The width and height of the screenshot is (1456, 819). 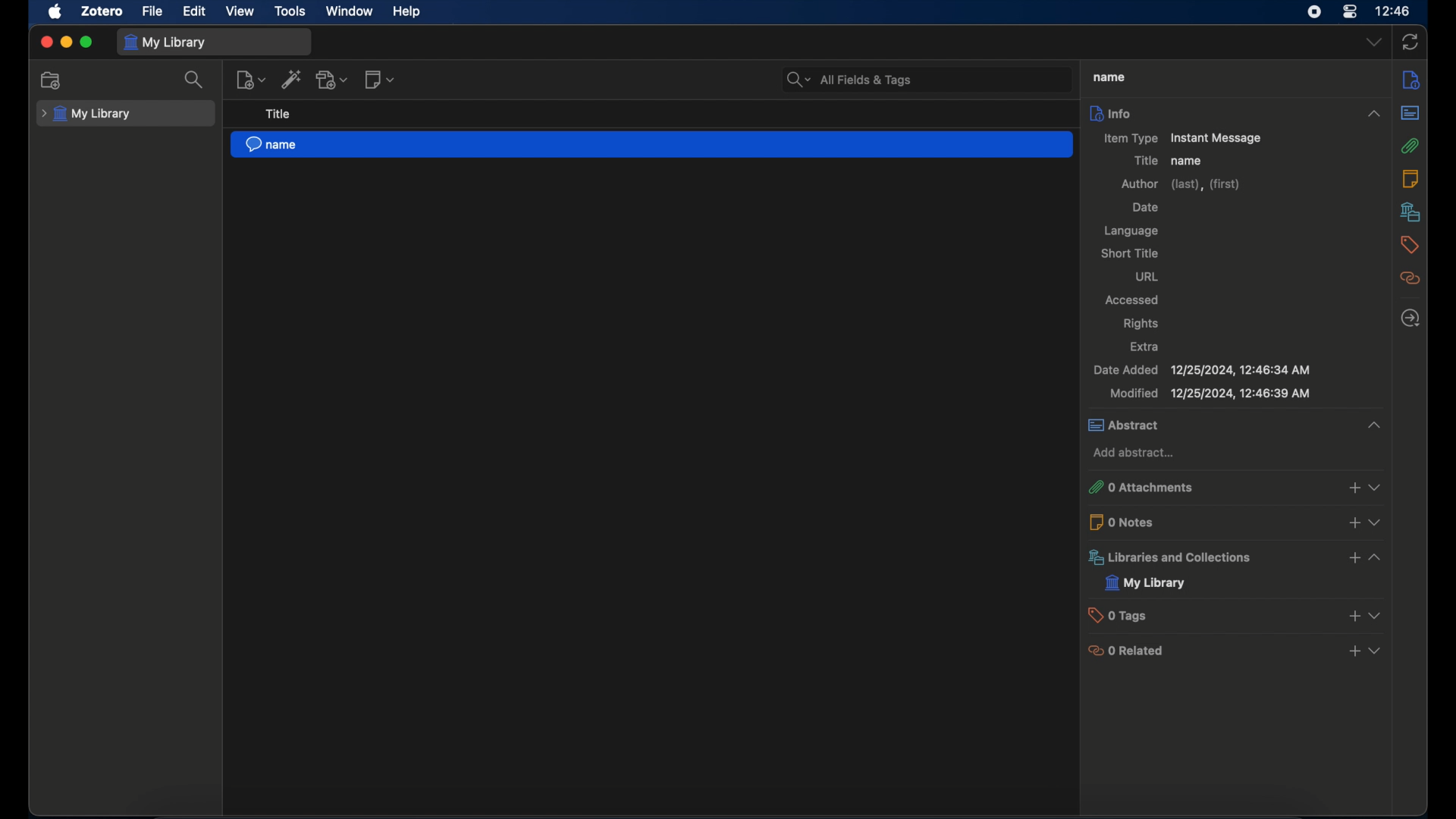 What do you see at coordinates (1411, 146) in the screenshot?
I see `attachments` at bounding box center [1411, 146].